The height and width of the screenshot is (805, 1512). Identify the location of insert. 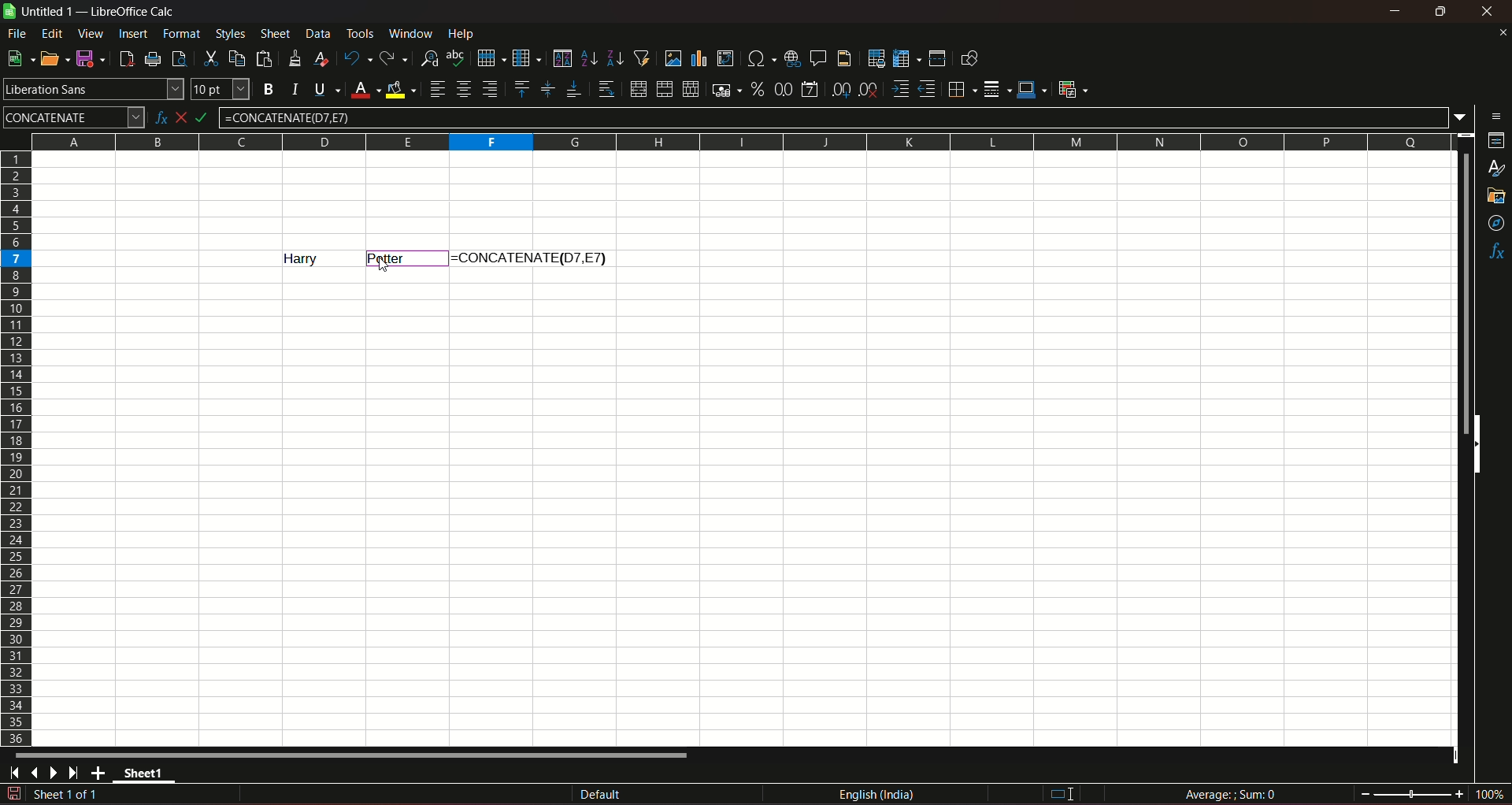
(132, 32).